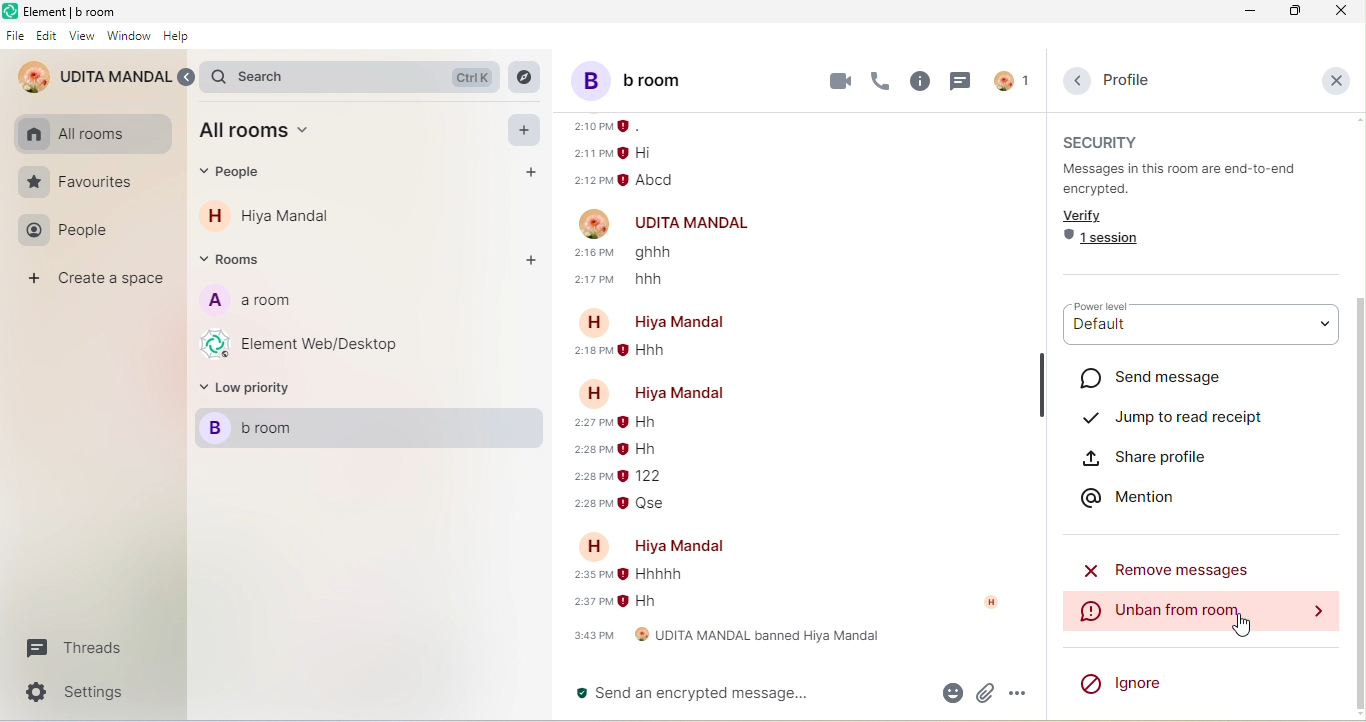 Image resolution: width=1366 pixels, height=722 pixels. I want to click on people, so click(239, 174).